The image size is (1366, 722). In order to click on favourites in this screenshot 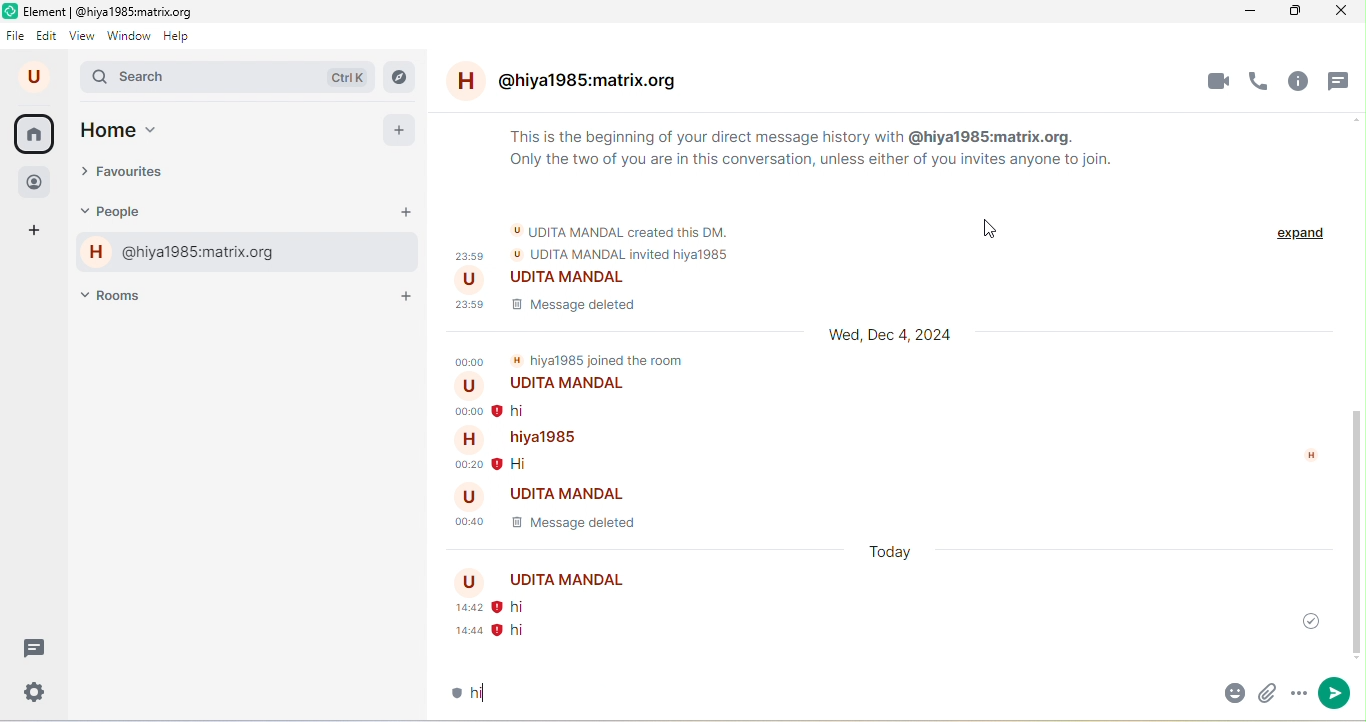, I will do `click(140, 174)`.